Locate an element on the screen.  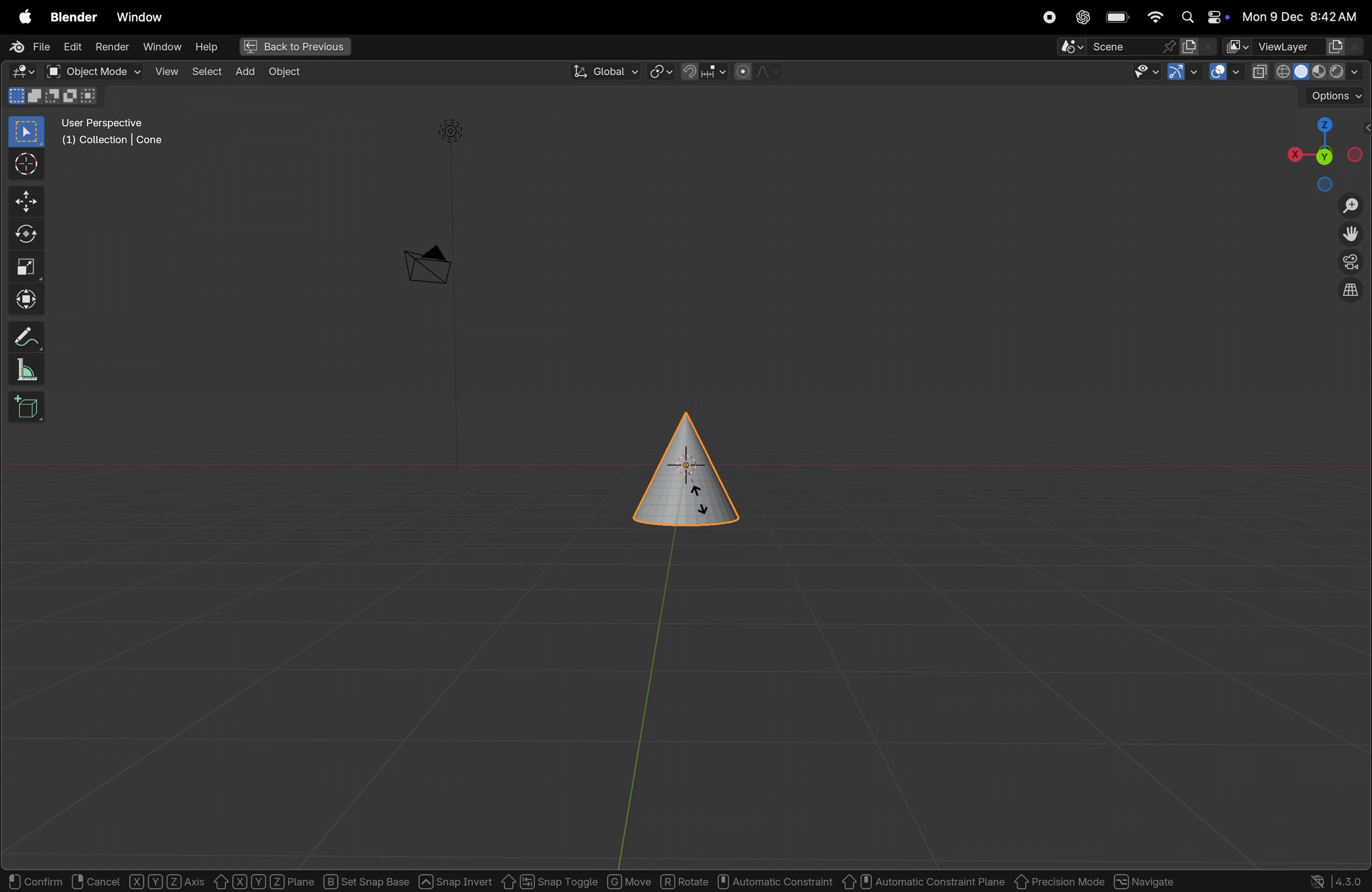
transform pviot is located at coordinates (661, 72).